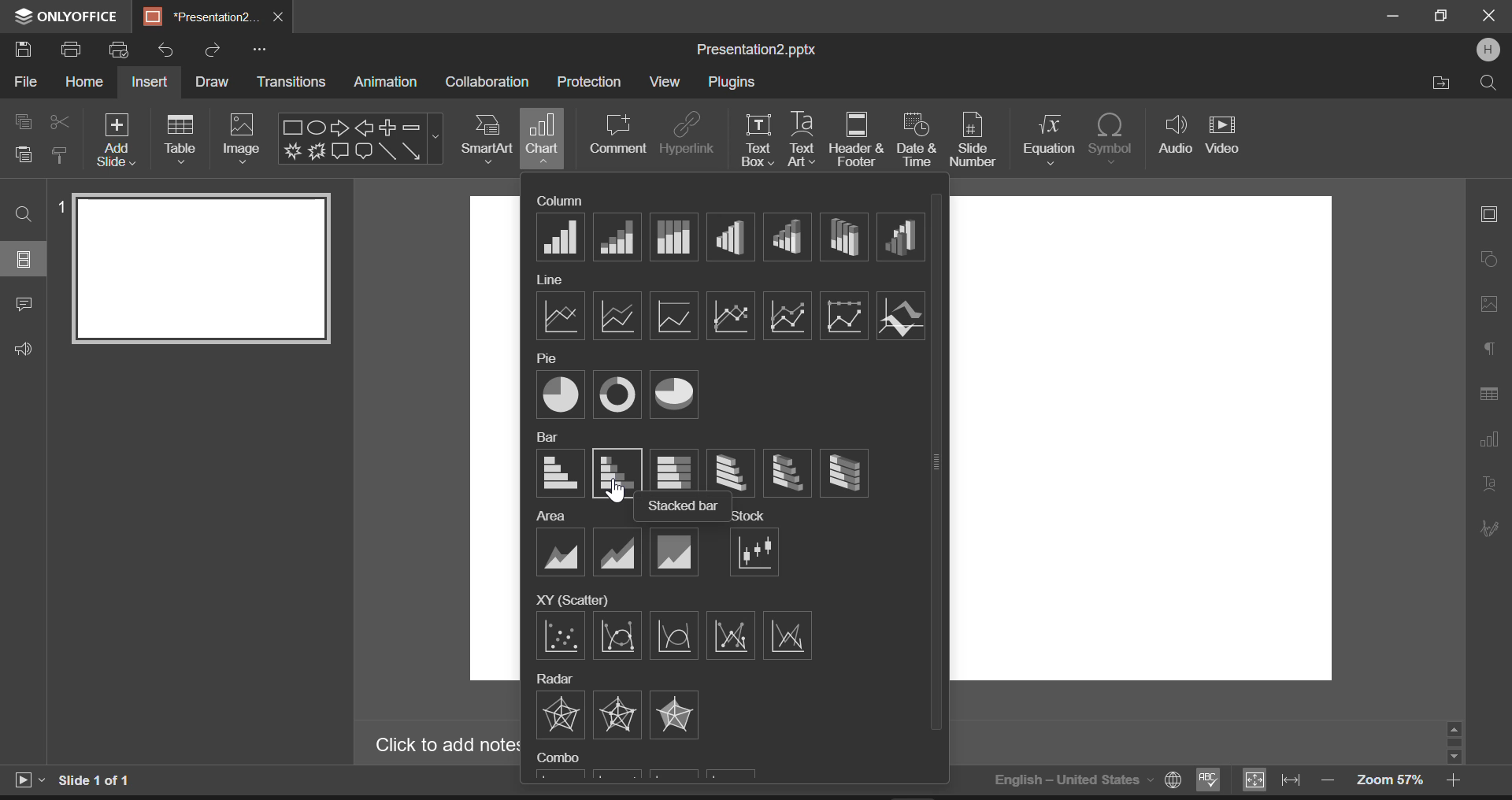 The image size is (1512, 800). I want to click on Right Arrow, so click(340, 128).